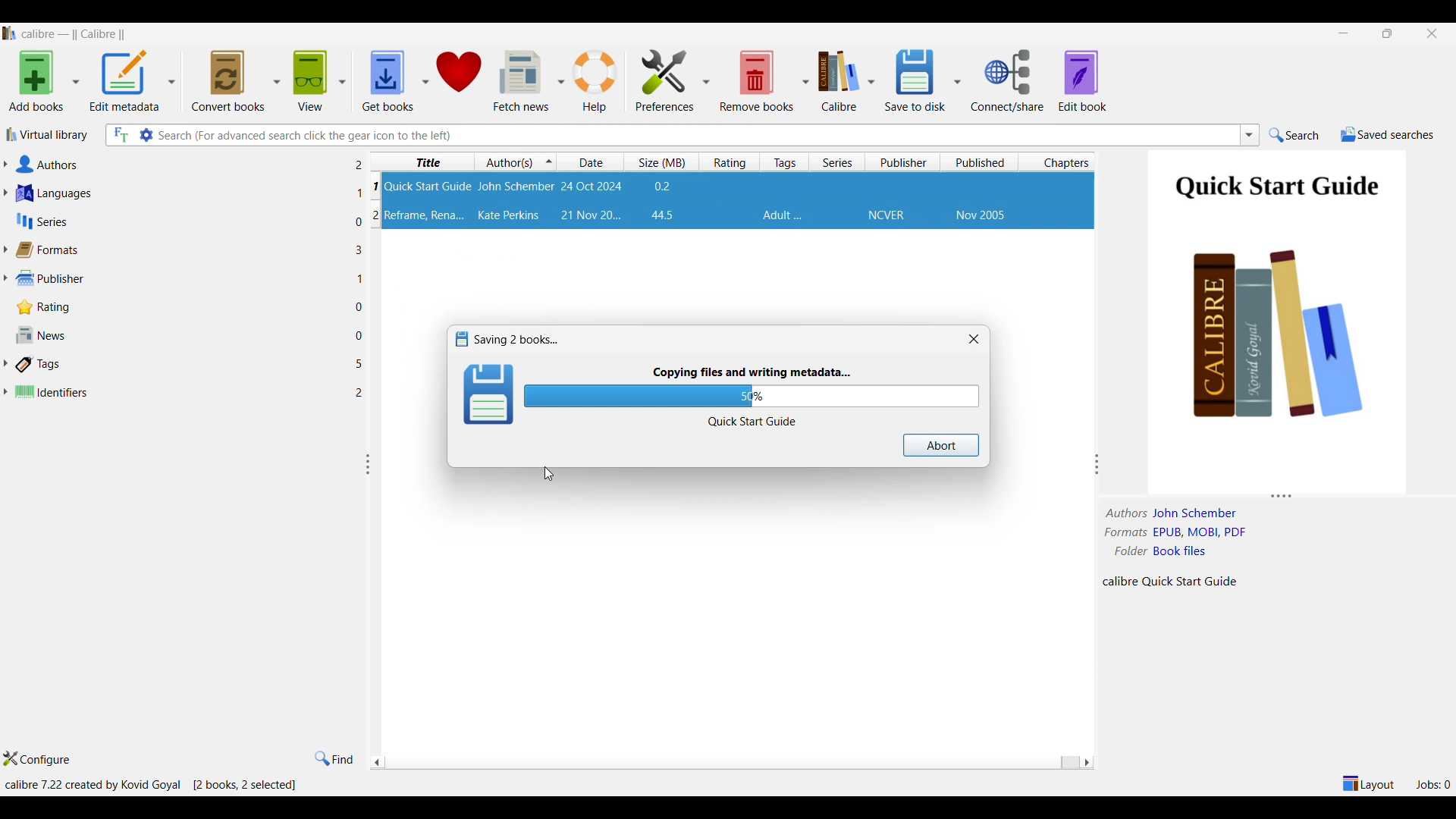 The width and height of the screenshot is (1456, 819). Describe the element at coordinates (1083, 80) in the screenshot. I see `Edit book` at that location.